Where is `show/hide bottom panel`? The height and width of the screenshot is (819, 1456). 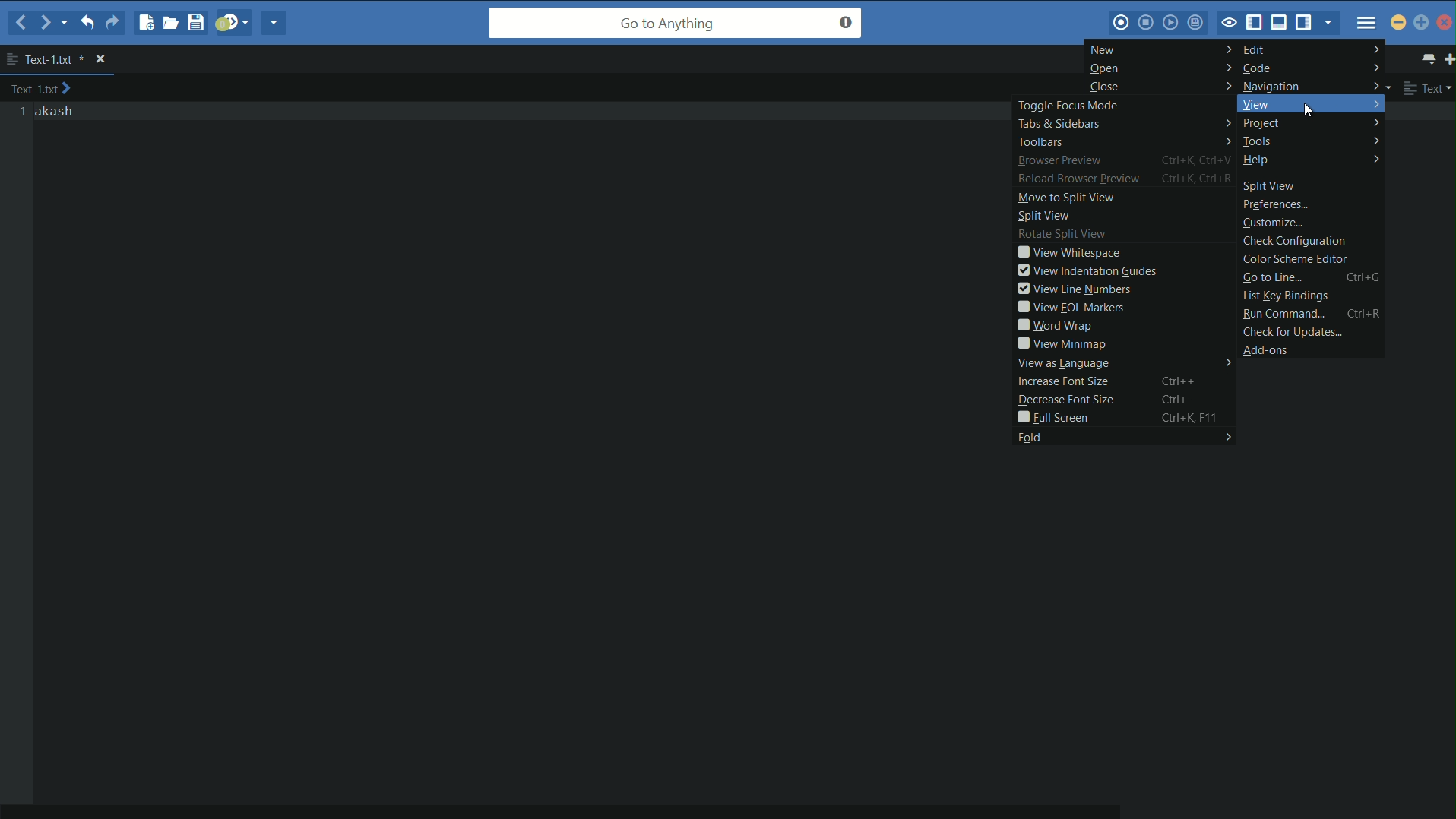
show/hide bottom panel is located at coordinates (1282, 21).